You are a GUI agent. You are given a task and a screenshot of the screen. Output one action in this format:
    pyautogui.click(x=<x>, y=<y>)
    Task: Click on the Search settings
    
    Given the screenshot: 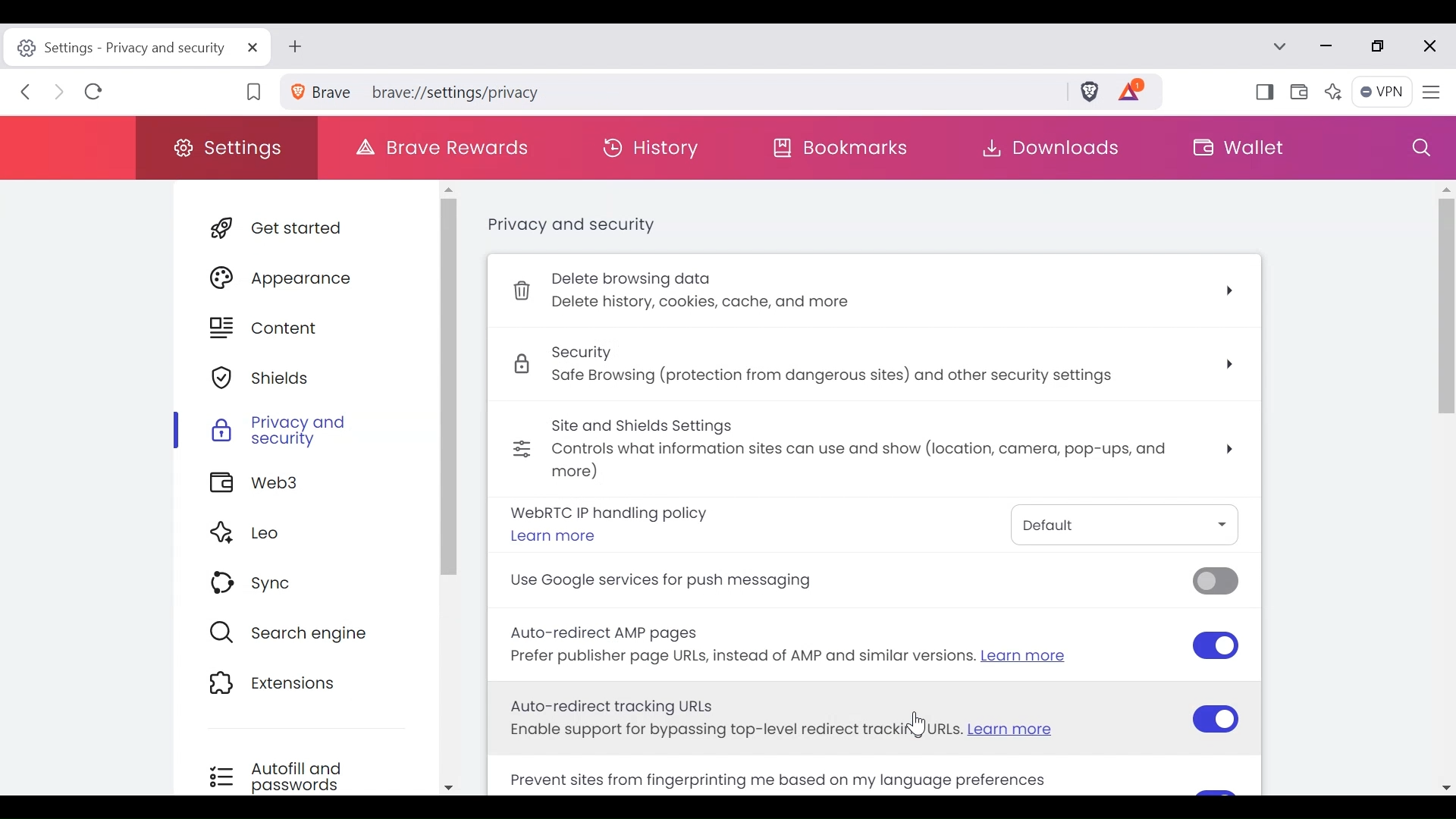 What is the action you would take?
    pyautogui.click(x=1420, y=148)
    